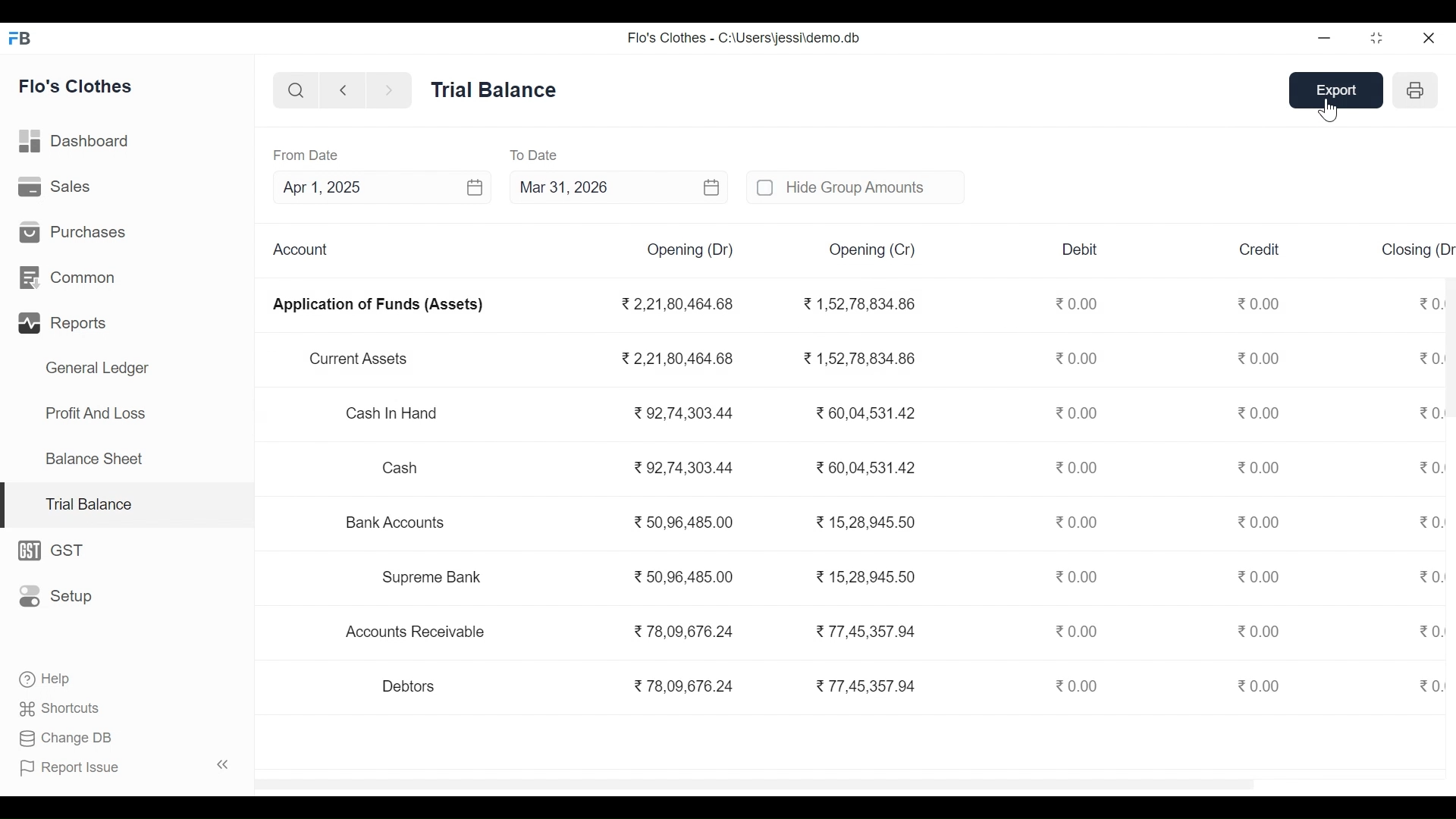 The image size is (1456, 819). I want to click on Cash, so click(402, 468).